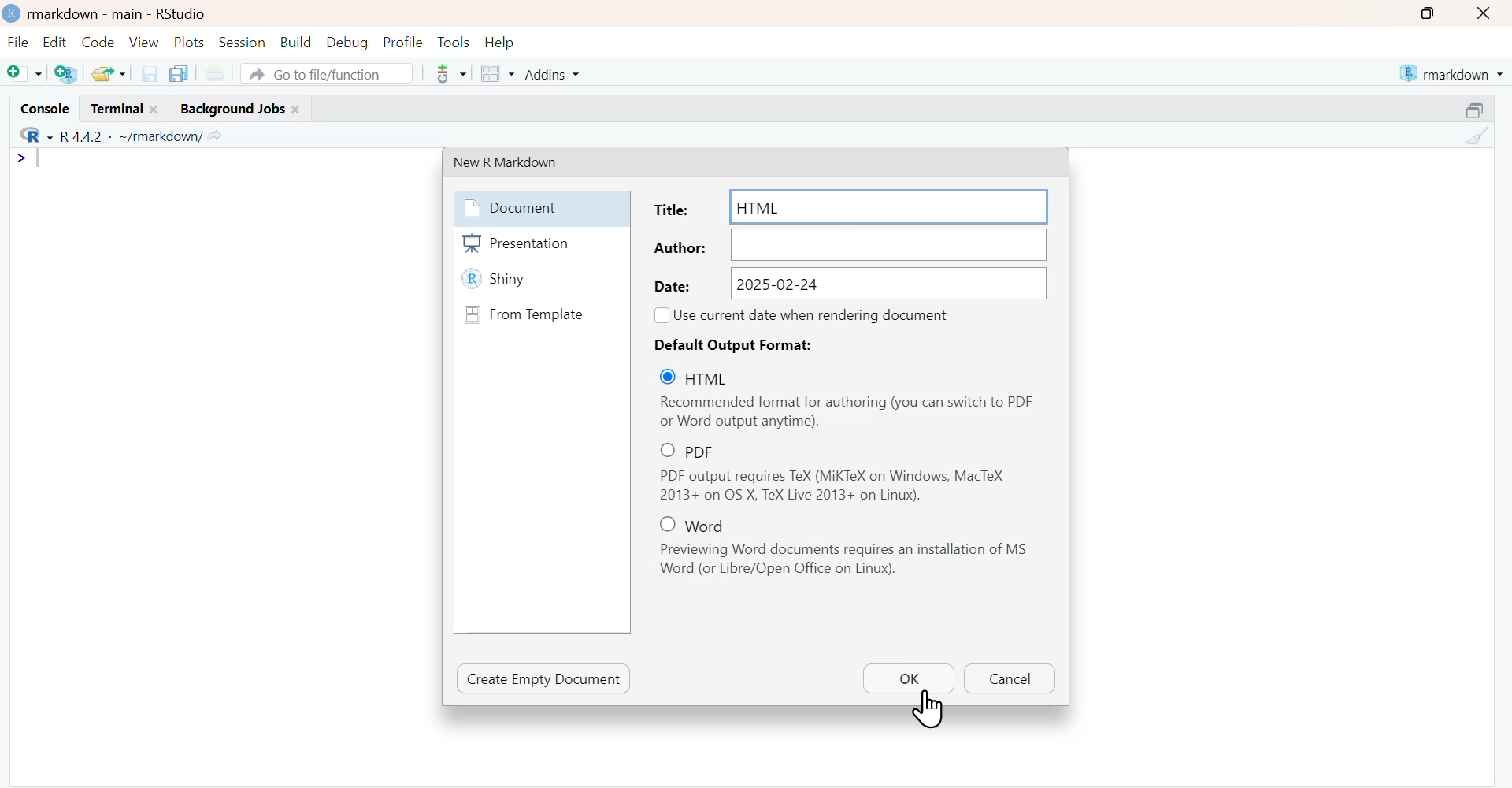 The height and width of the screenshot is (788, 1512). I want to click on cursor, so click(930, 710).